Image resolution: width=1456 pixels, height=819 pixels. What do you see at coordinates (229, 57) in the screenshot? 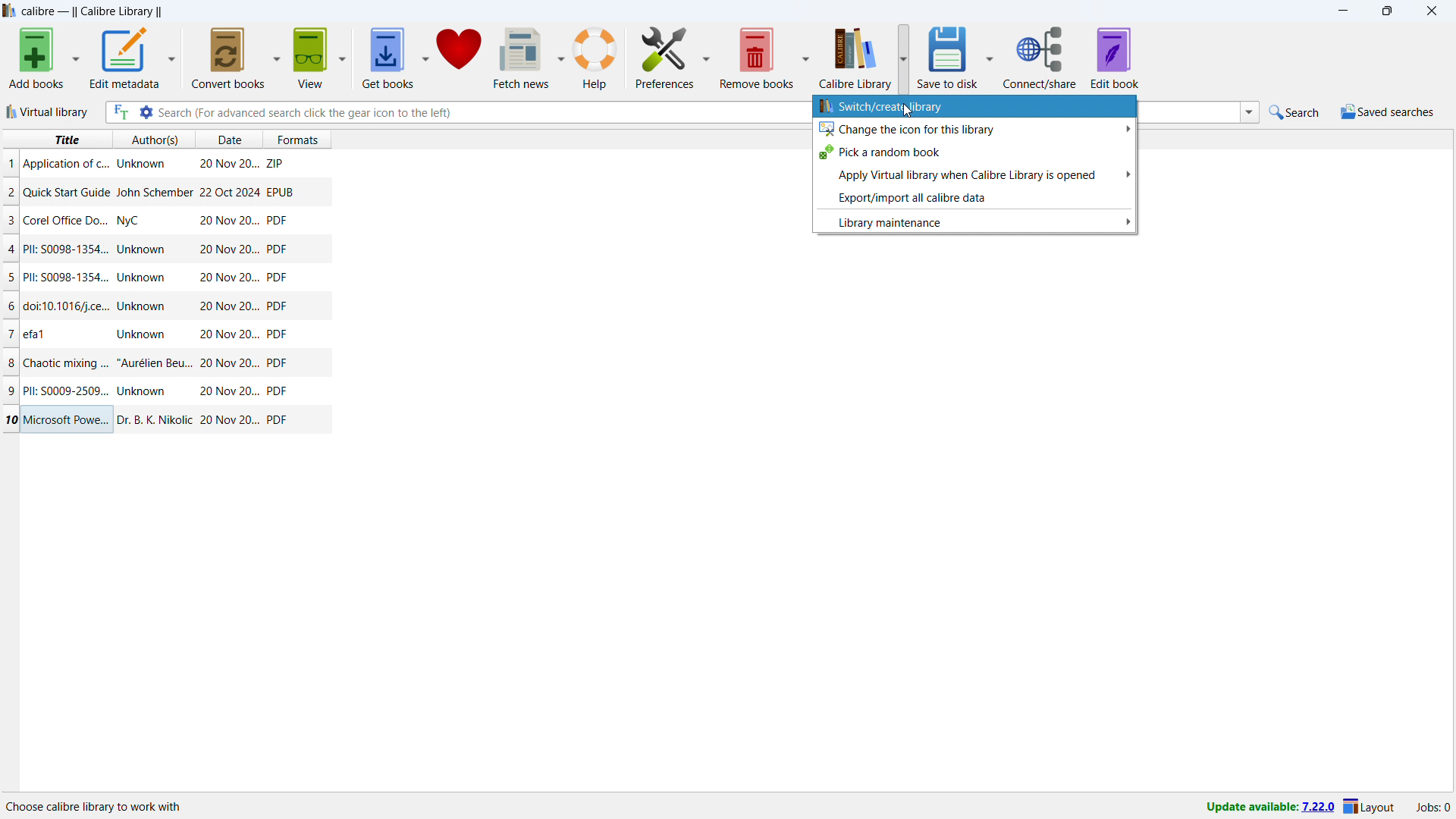
I see `convert books` at bounding box center [229, 57].